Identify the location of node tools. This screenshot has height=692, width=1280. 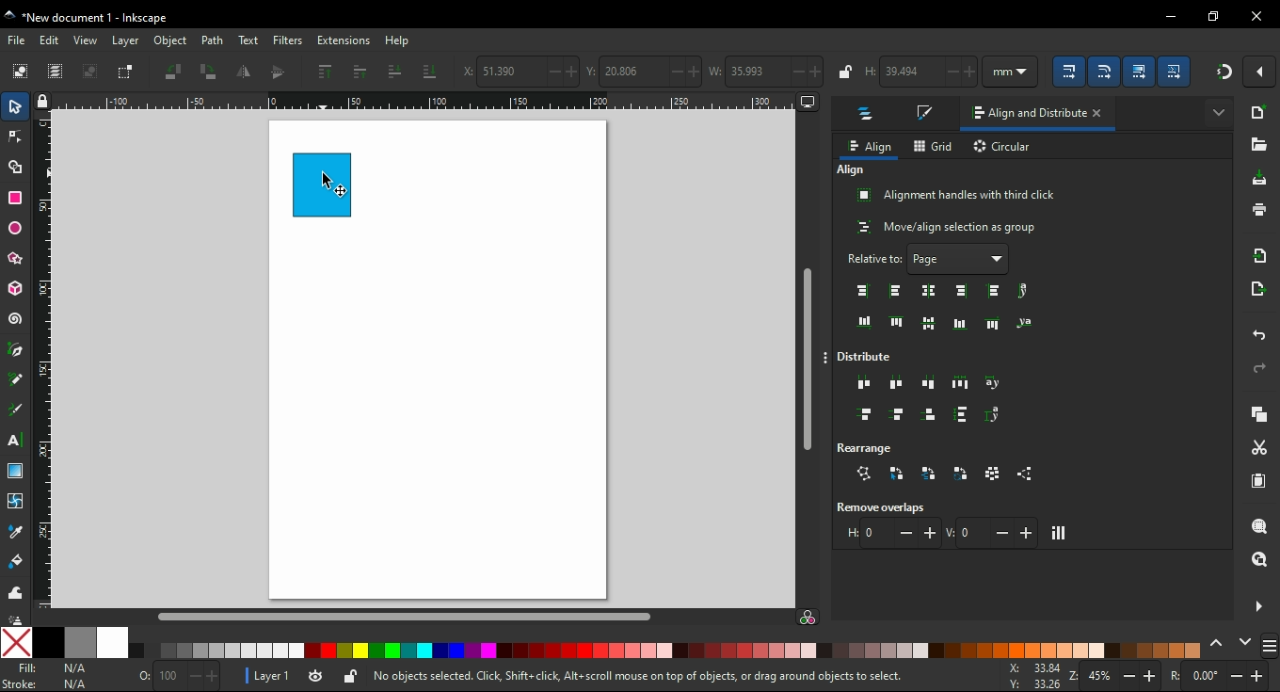
(15, 137).